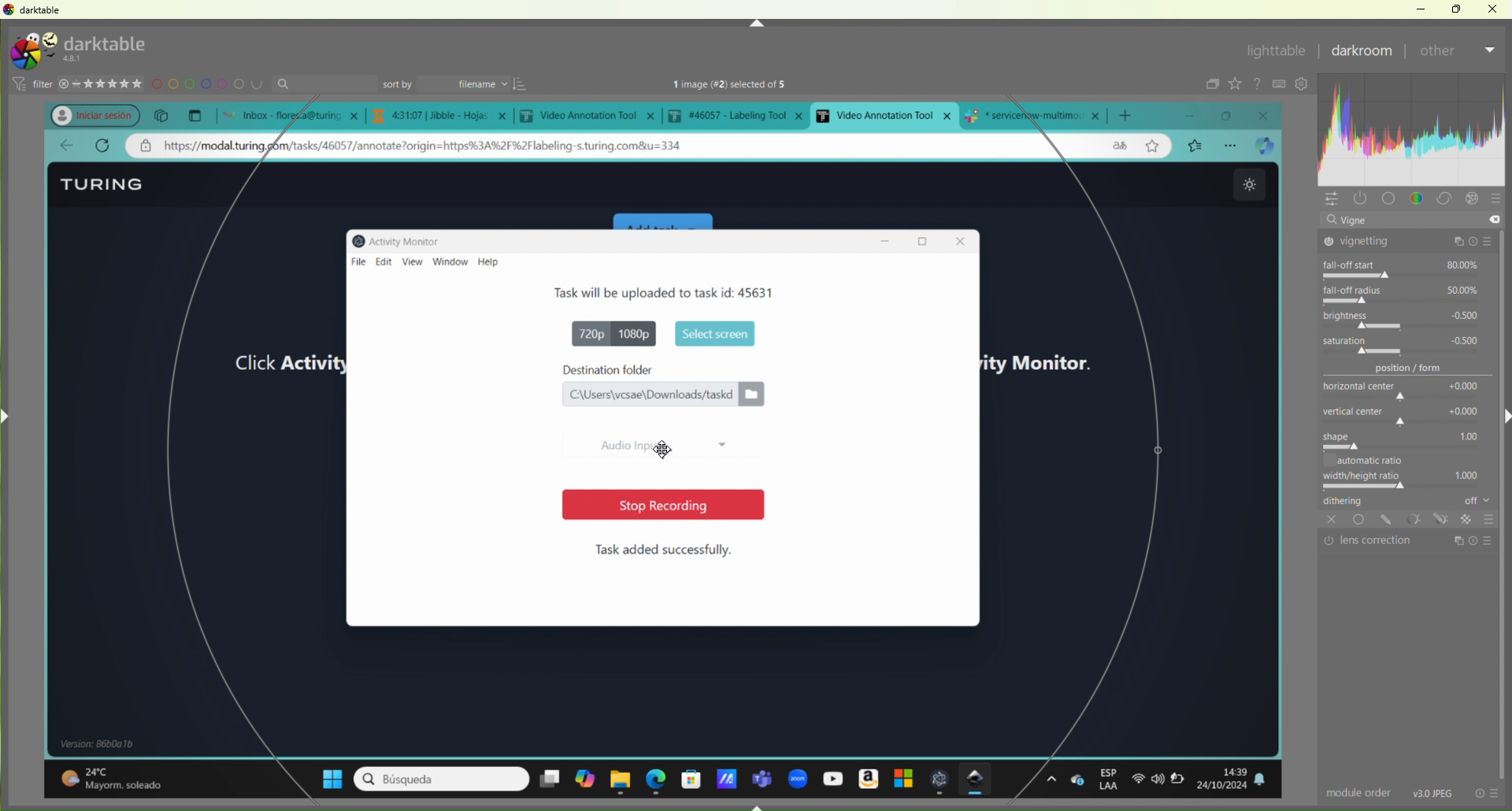 This screenshot has height=811, width=1512. I want to click on , so click(1489, 520).